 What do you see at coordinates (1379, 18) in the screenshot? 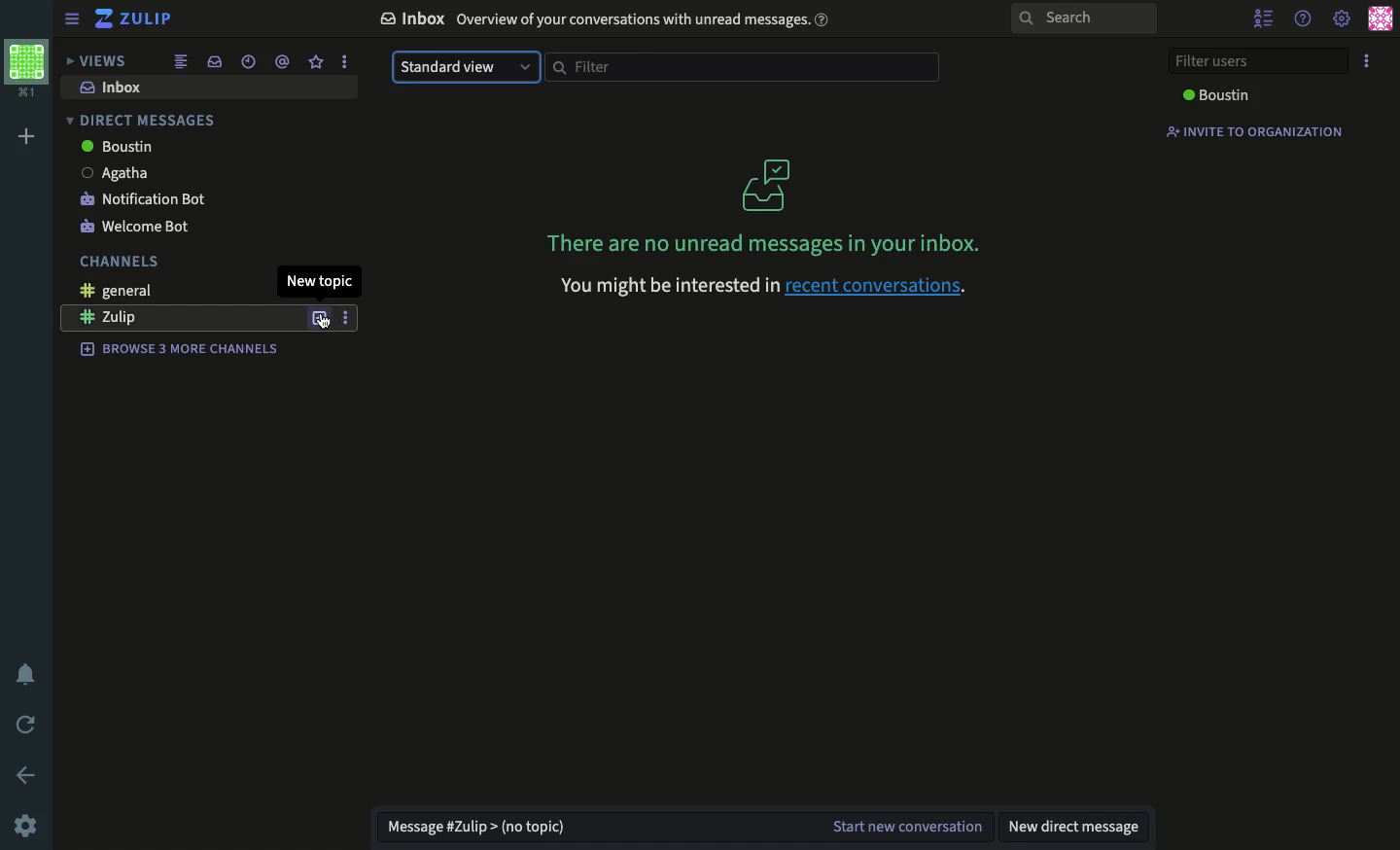
I see `user profile` at bounding box center [1379, 18].